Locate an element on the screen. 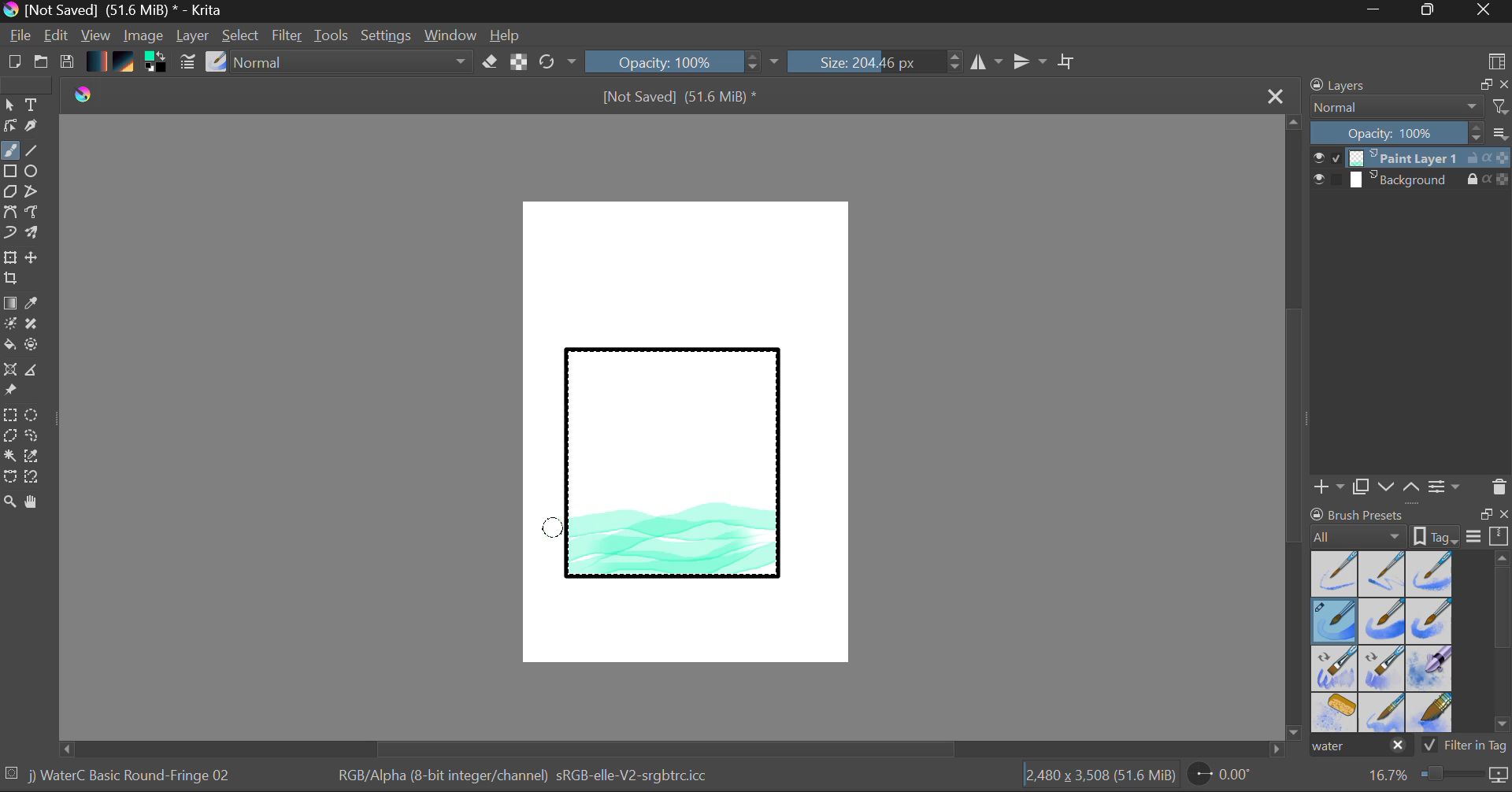 This screenshot has height=792, width=1512. Water C - Grain is located at coordinates (1383, 622).